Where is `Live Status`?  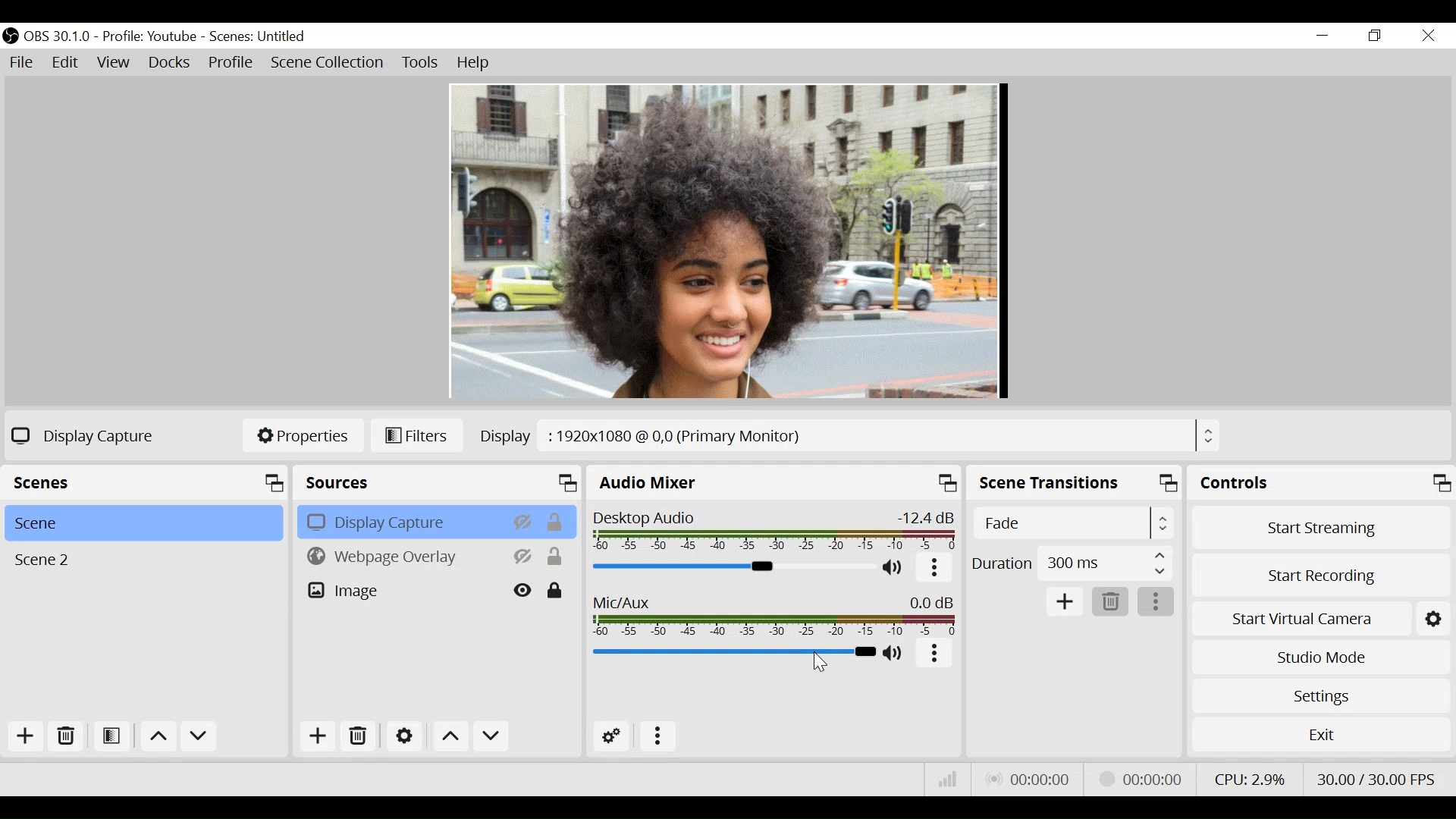 Live Status is located at coordinates (1031, 777).